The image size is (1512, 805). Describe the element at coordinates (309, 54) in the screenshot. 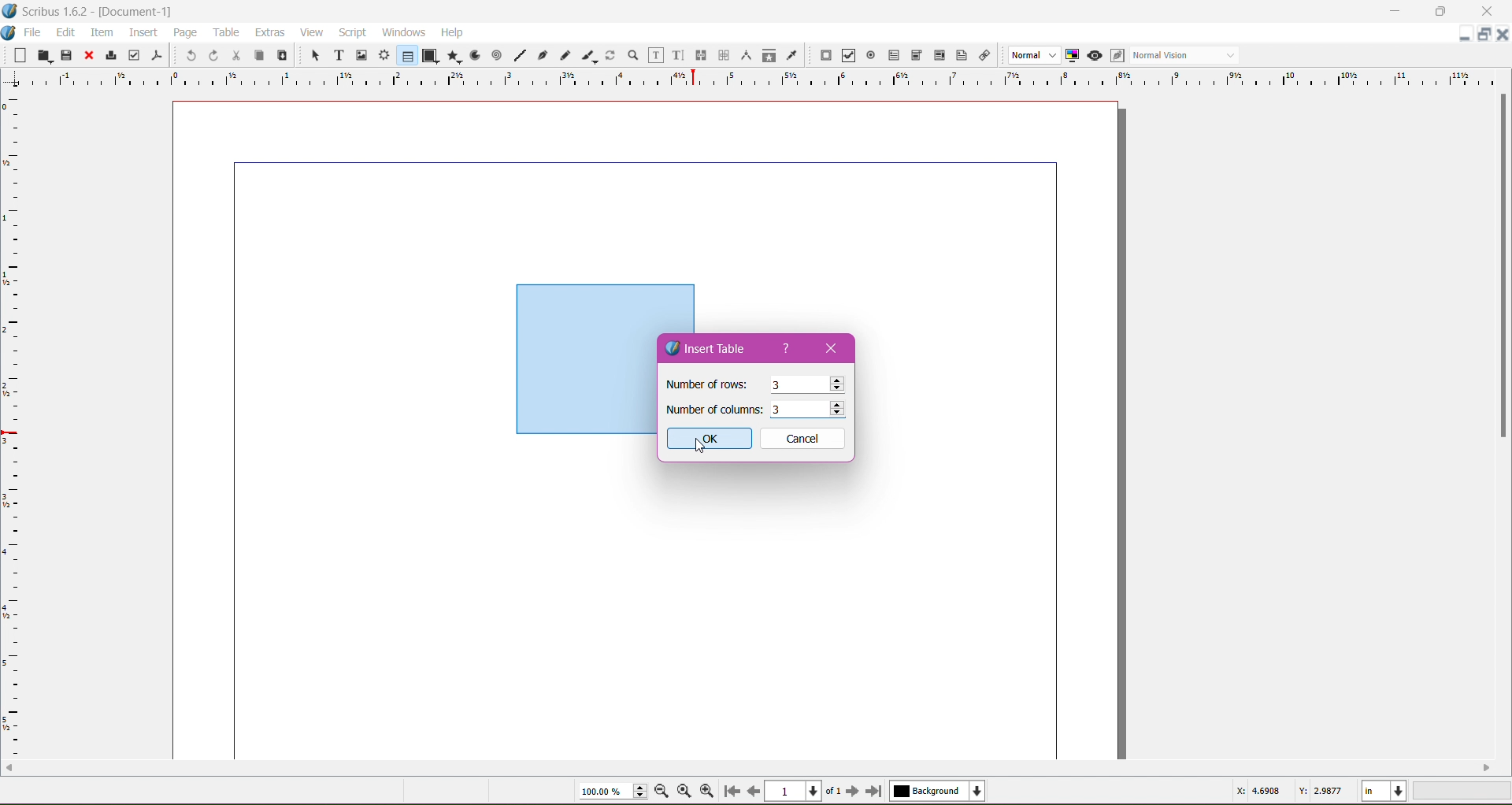

I see `Select Item` at that location.